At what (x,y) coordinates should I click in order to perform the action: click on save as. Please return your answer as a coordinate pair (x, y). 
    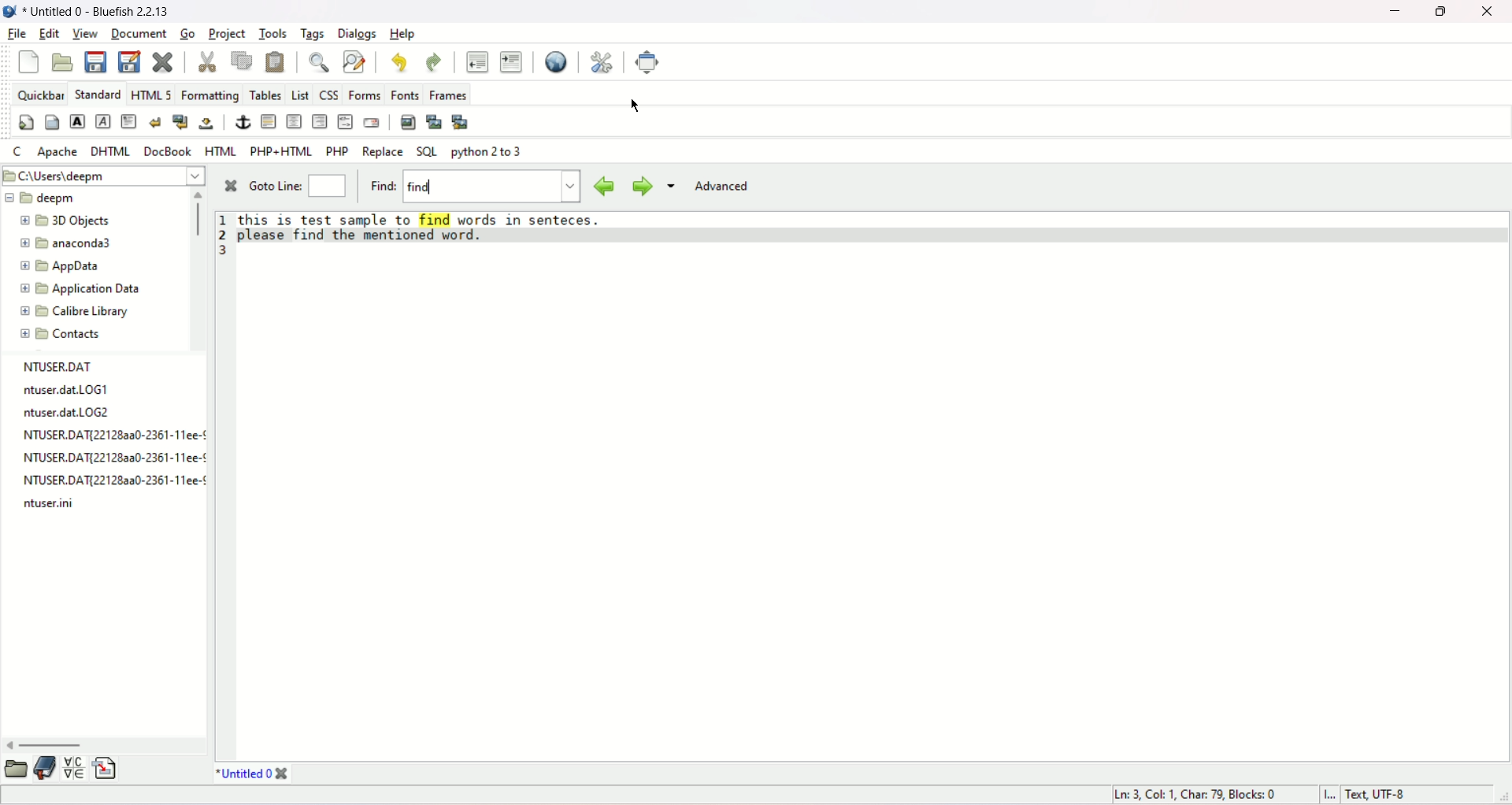
    Looking at the image, I should click on (130, 61).